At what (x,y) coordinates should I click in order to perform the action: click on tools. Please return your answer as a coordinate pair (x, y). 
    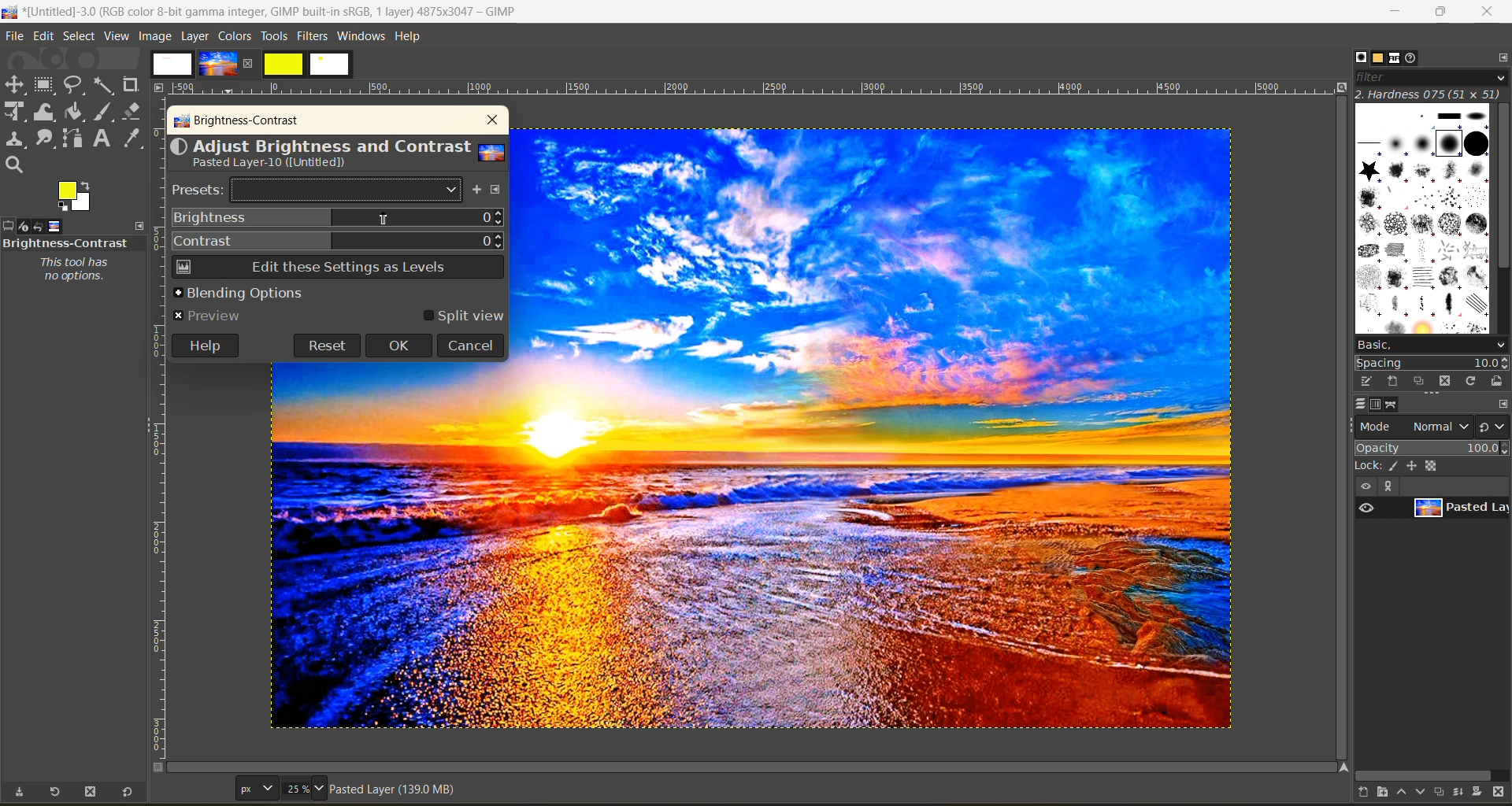
    Looking at the image, I should click on (273, 38).